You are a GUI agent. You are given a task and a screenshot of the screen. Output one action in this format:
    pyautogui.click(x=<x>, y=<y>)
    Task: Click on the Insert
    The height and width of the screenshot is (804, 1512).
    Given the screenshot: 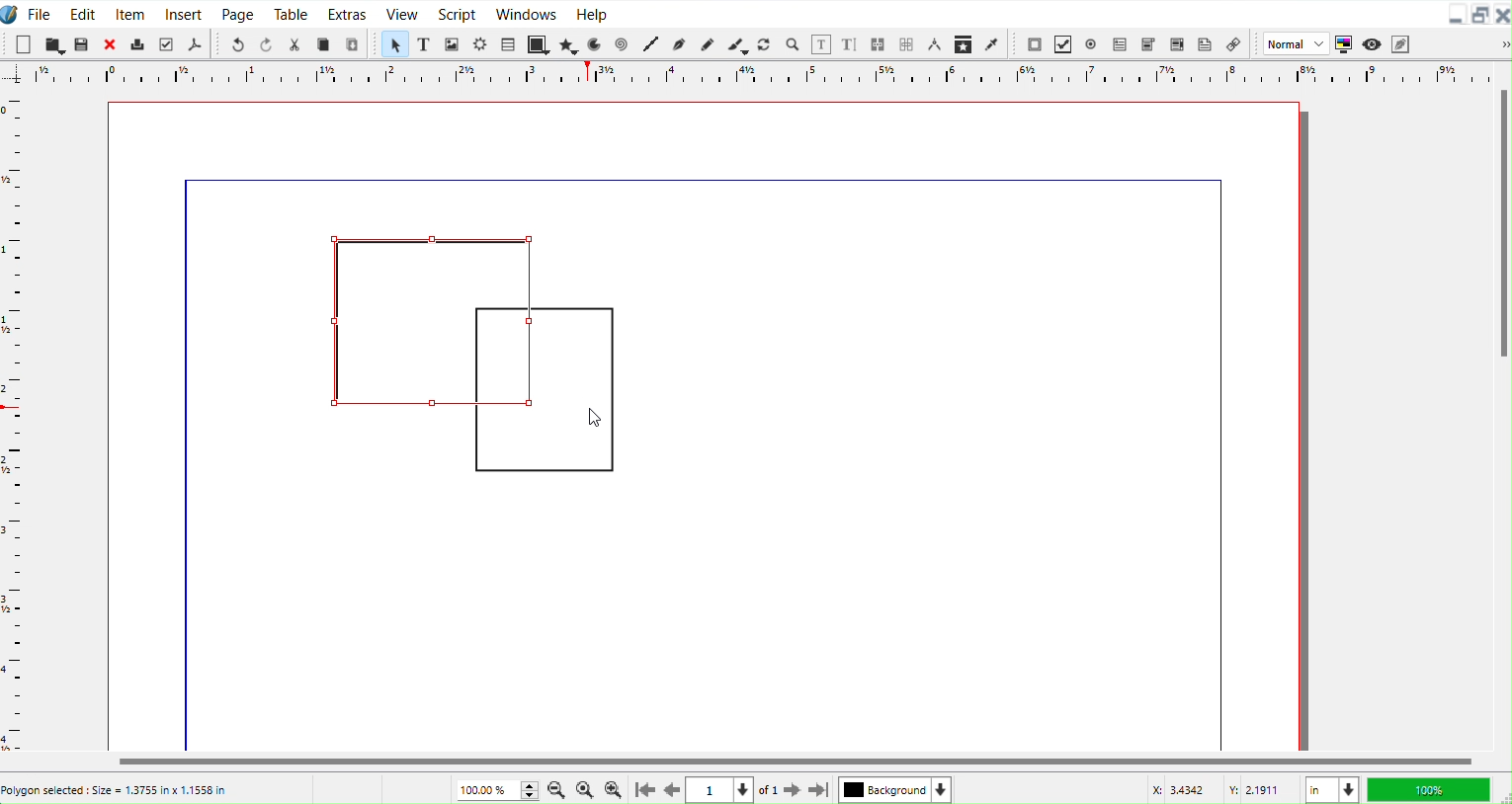 What is the action you would take?
    pyautogui.click(x=184, y=13)
    